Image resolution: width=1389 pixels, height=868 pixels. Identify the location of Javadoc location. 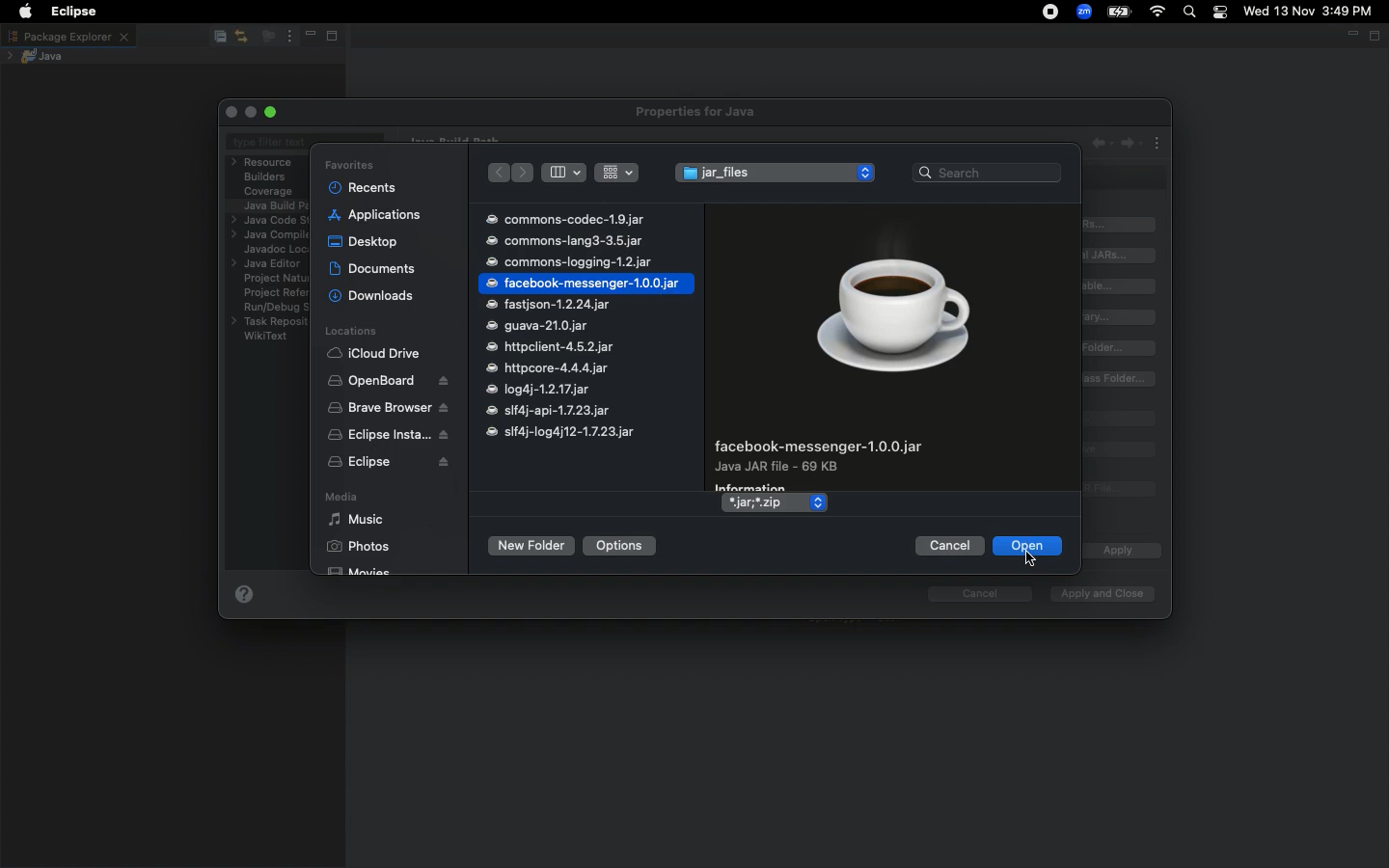
(273, 250).